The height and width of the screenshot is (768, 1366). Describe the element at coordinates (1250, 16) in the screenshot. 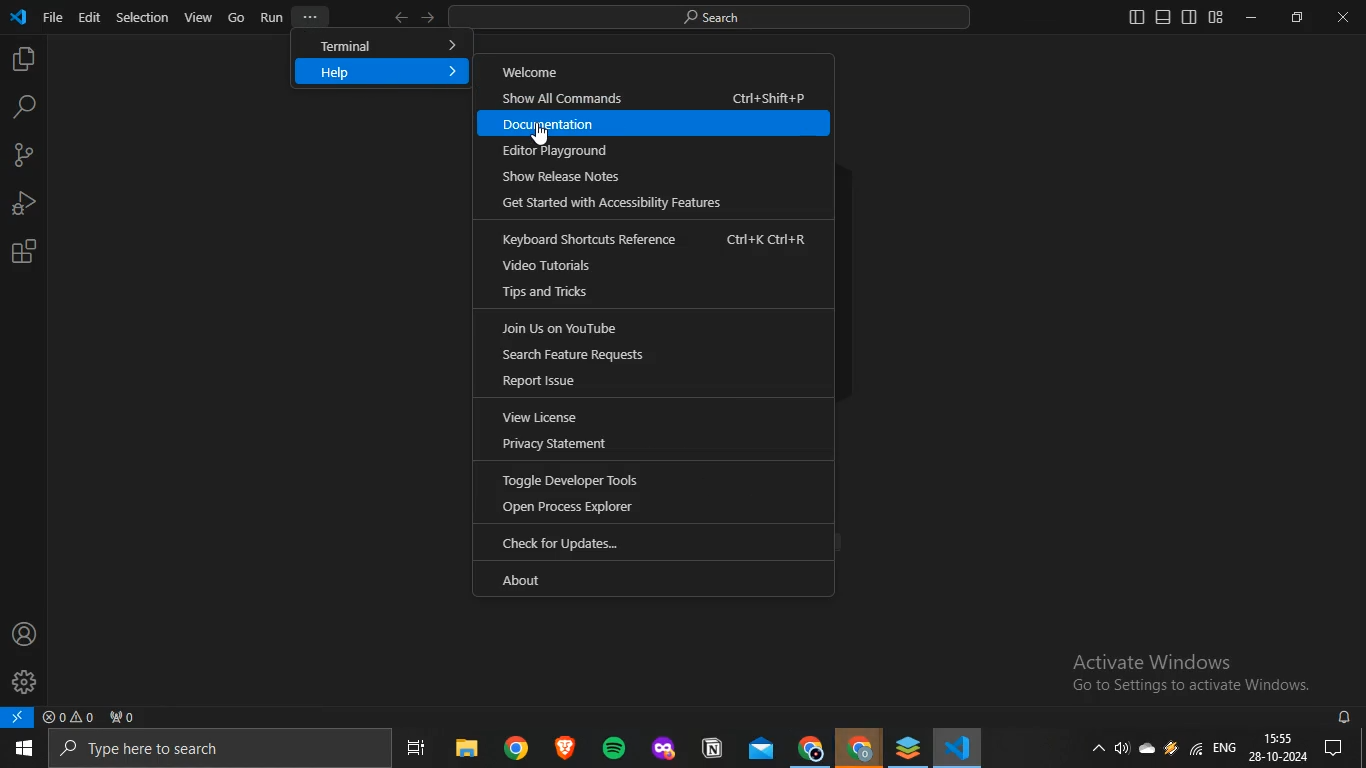

I see `minimize` at that location.